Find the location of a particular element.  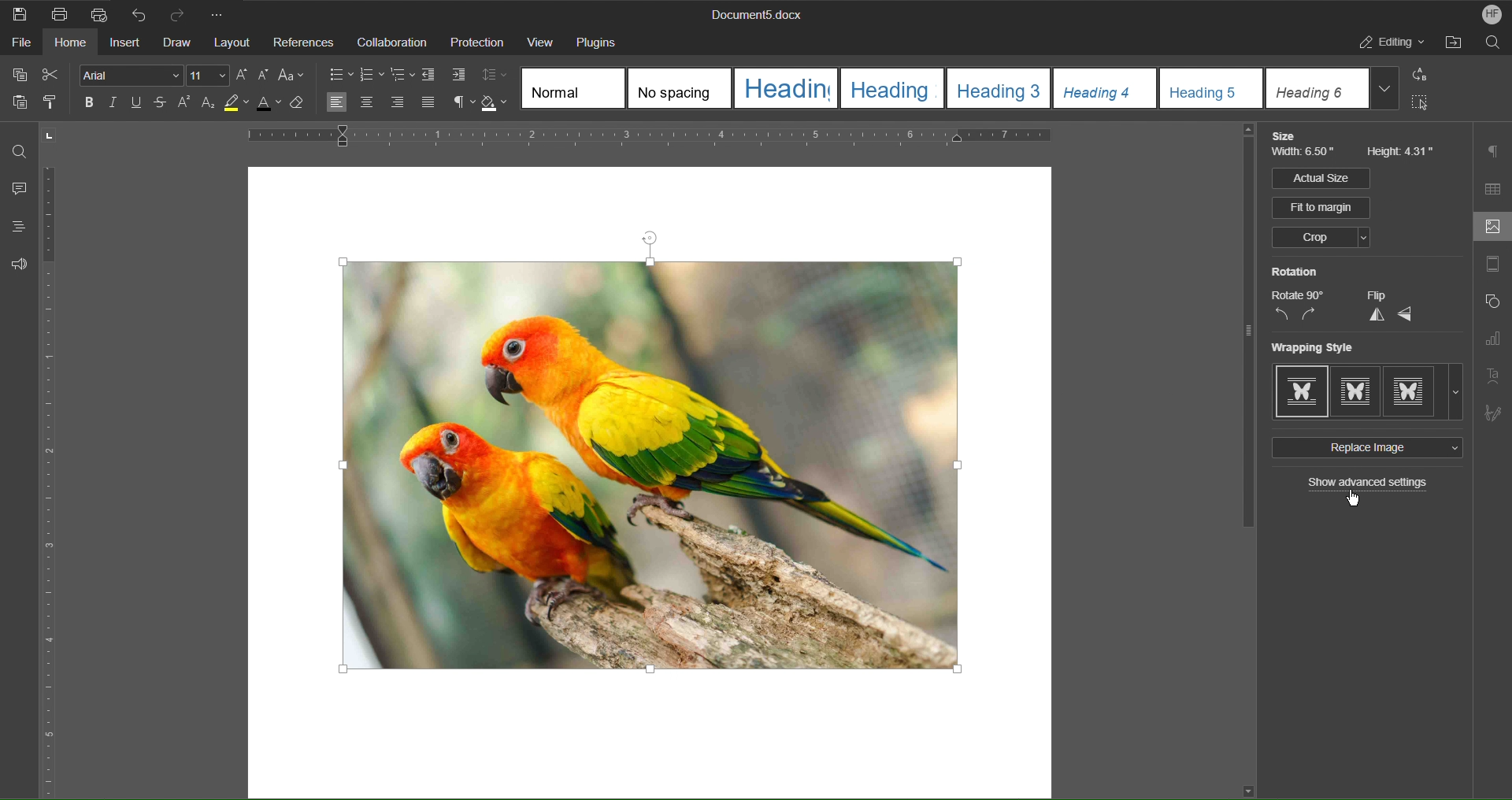

Text Case is located at coordinates (294, 76).